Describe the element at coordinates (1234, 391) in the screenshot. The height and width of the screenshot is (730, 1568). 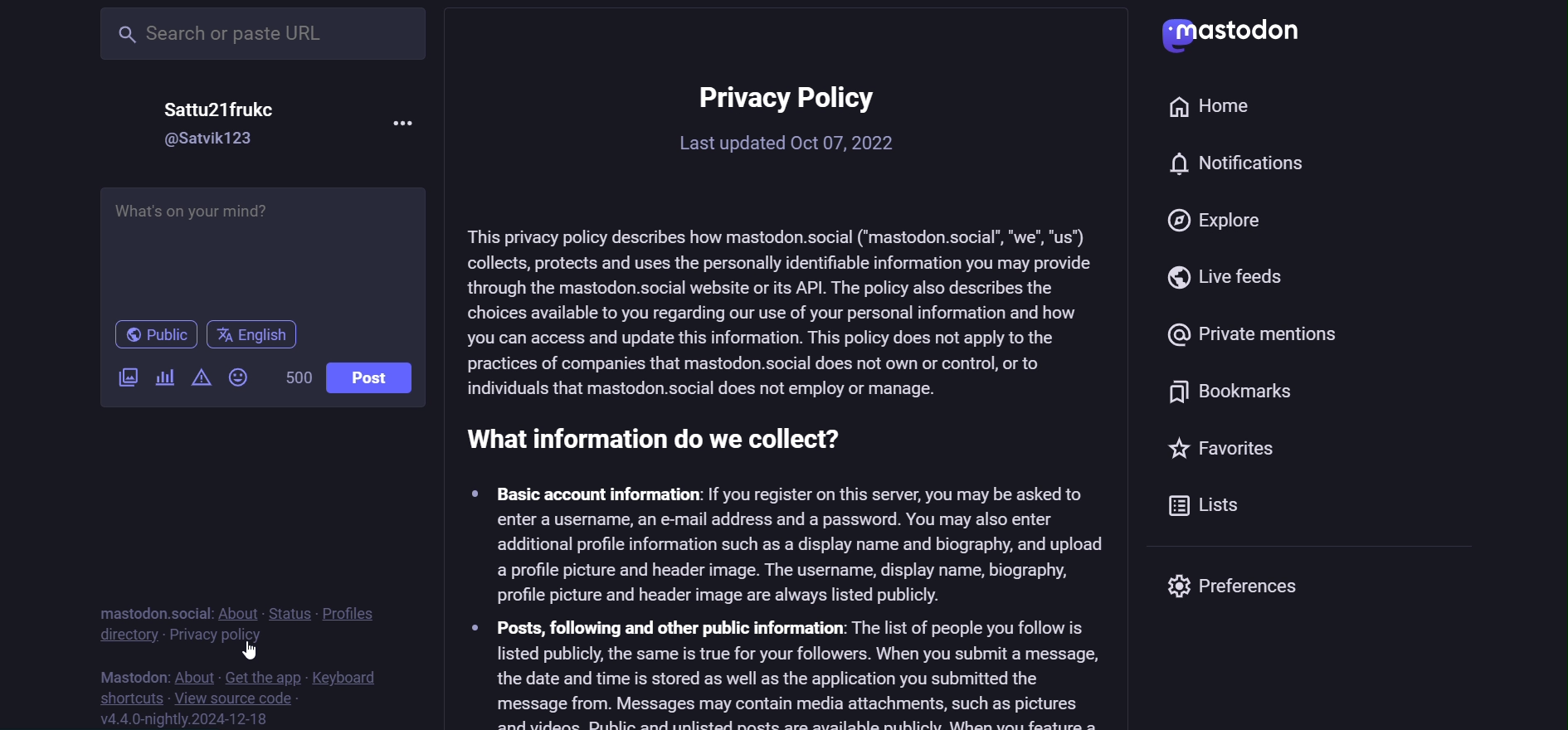
I see `bookmark` at that location.